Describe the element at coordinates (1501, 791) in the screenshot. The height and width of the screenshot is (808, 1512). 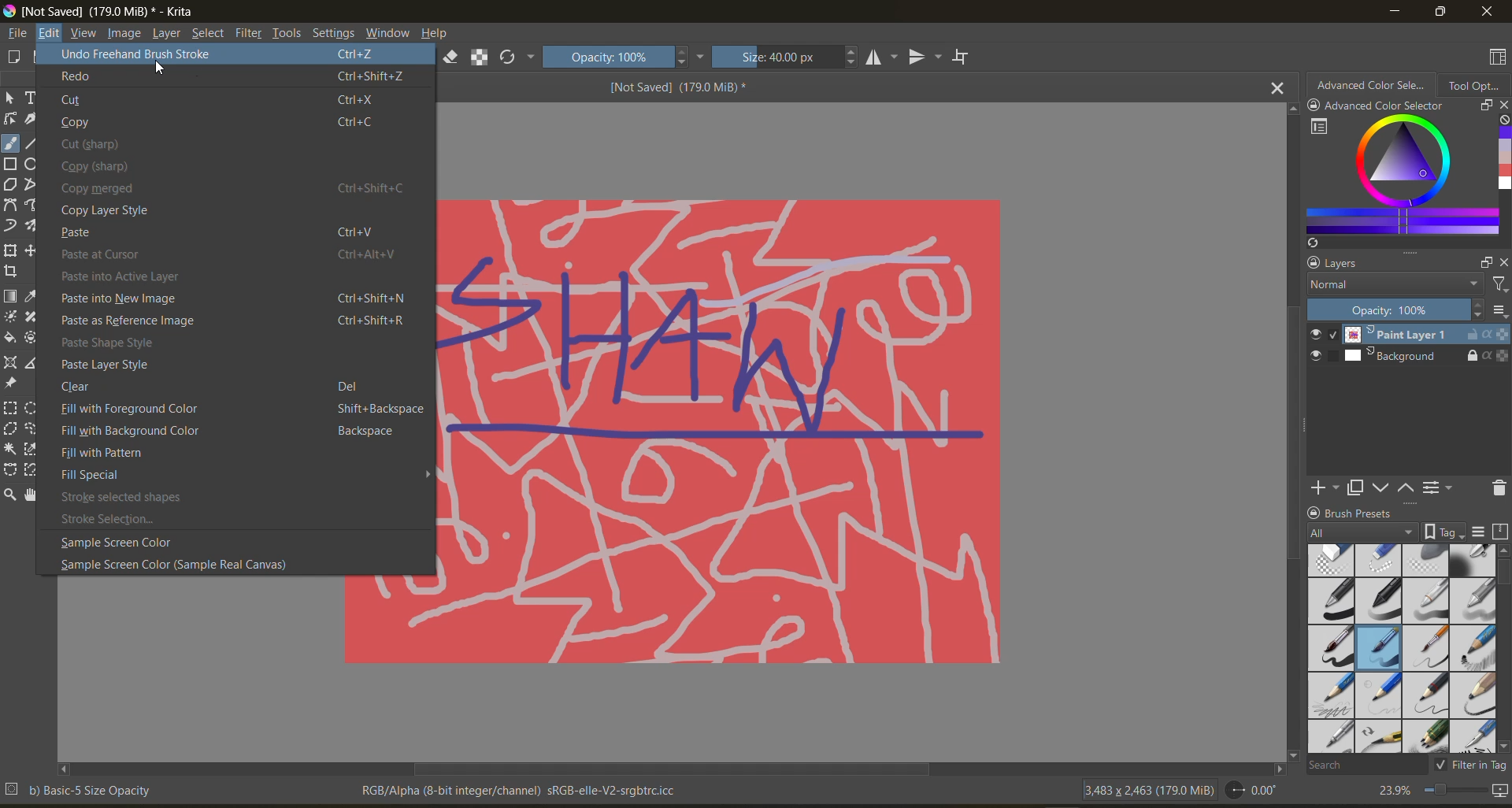
I see `map canvas` at that location.